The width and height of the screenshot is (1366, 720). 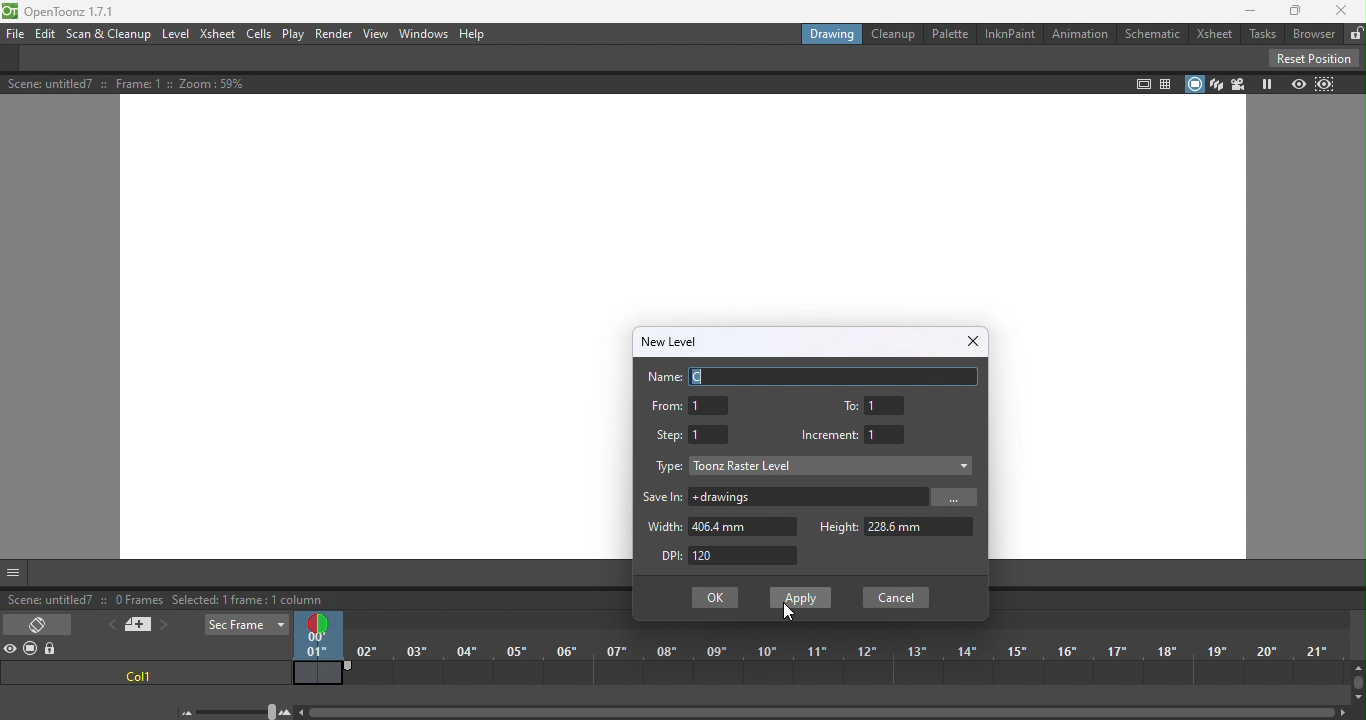 I want to click on Xsheet, so click(x=218, y=36).